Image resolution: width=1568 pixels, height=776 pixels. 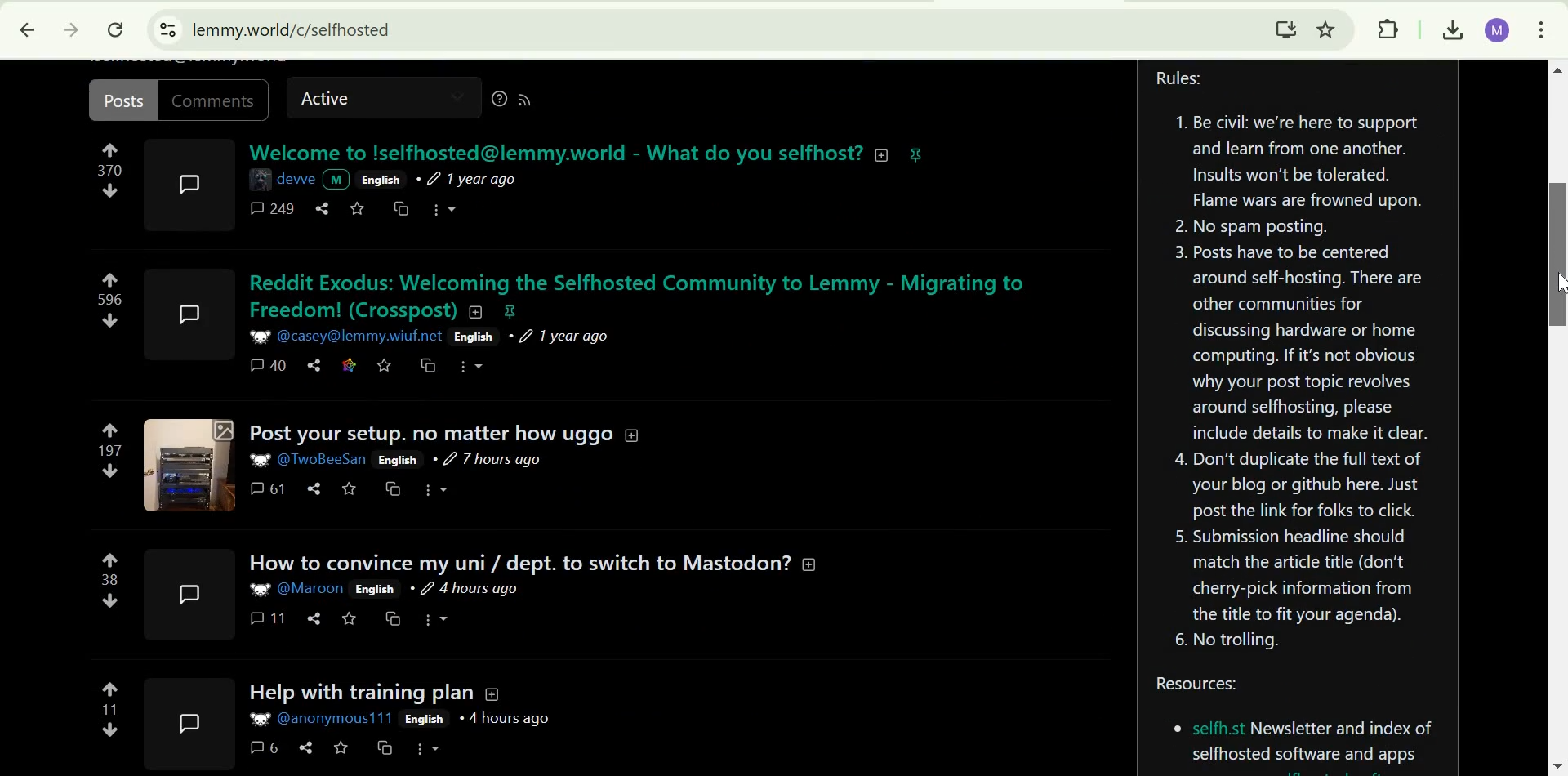 I want to click on comments, so click(x=269, y=210).